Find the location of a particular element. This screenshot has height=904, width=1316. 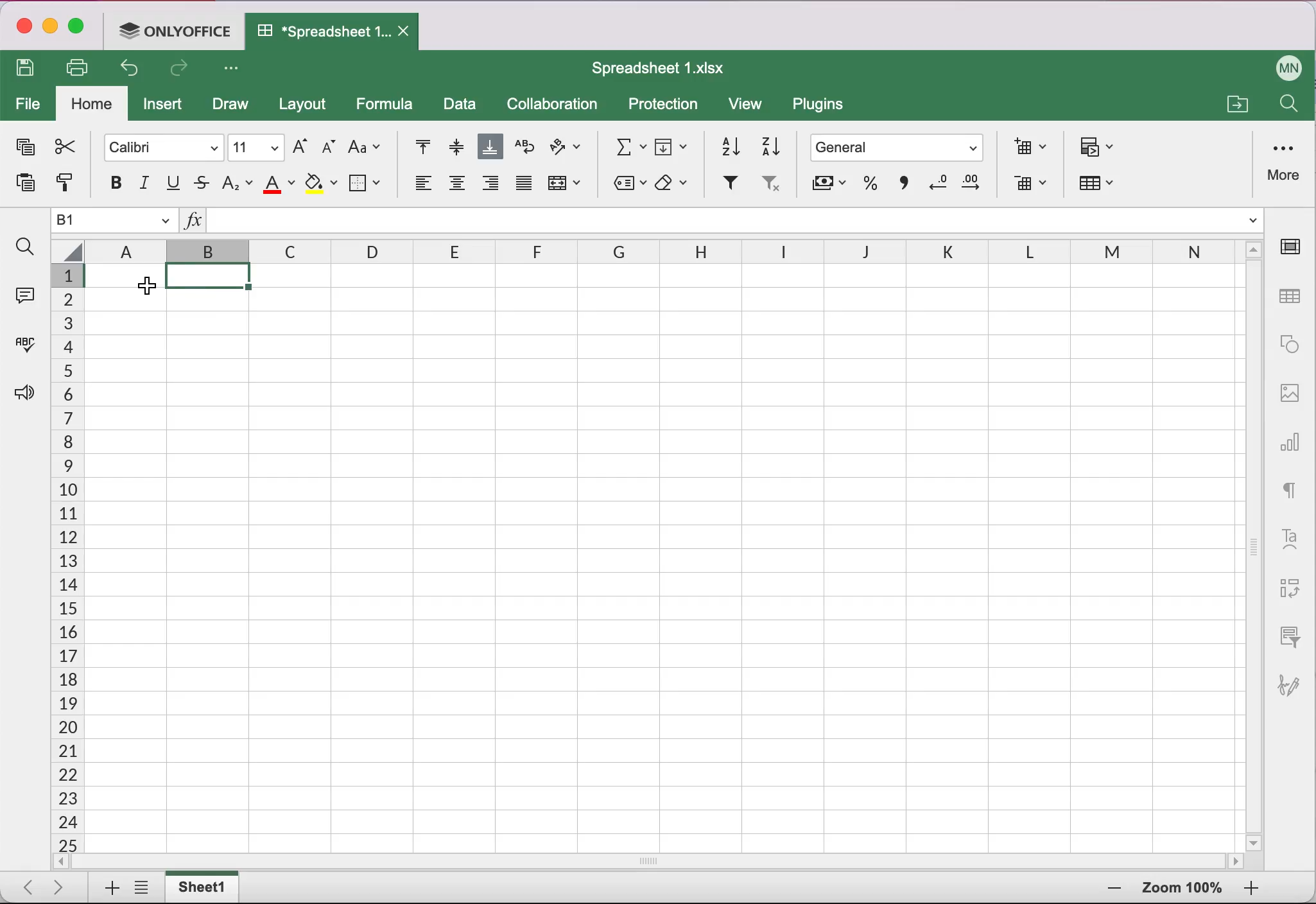

customize quick access toolbar is located at coordinates (235, 69).